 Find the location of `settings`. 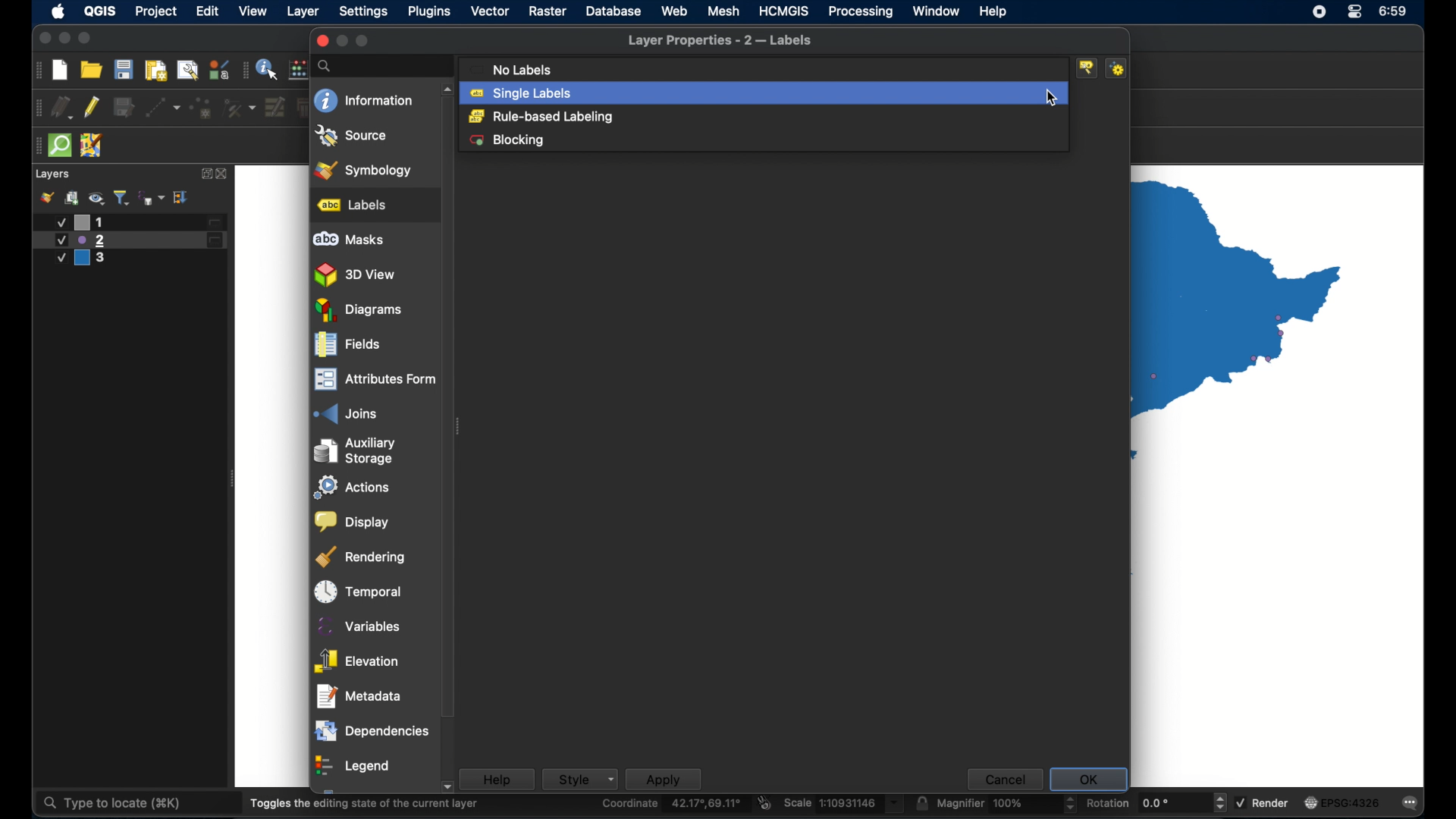

settings is located at coordinates (363, 12).